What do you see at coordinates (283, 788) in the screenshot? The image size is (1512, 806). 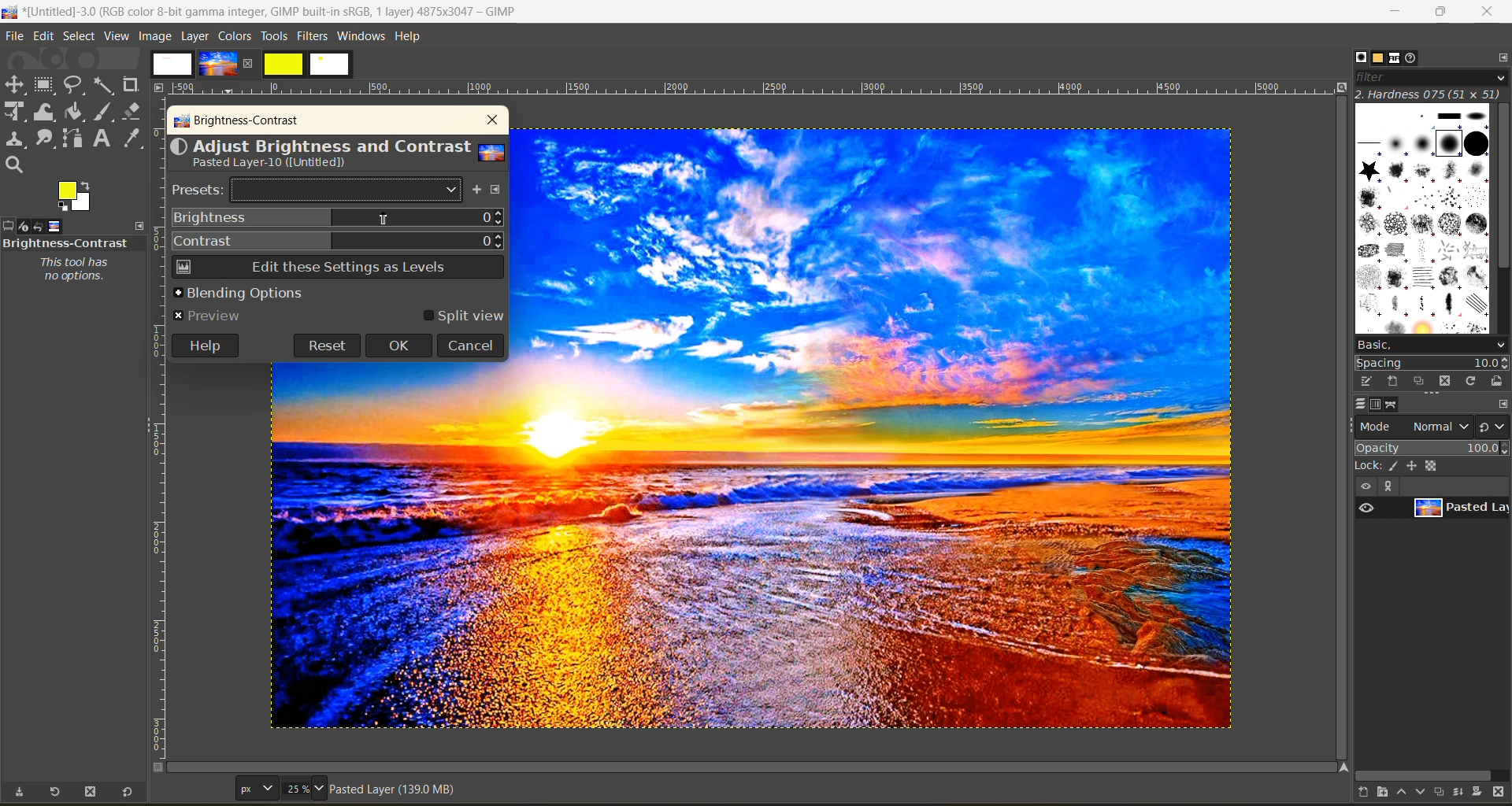 I see `size` at bounding box center [283, 788].